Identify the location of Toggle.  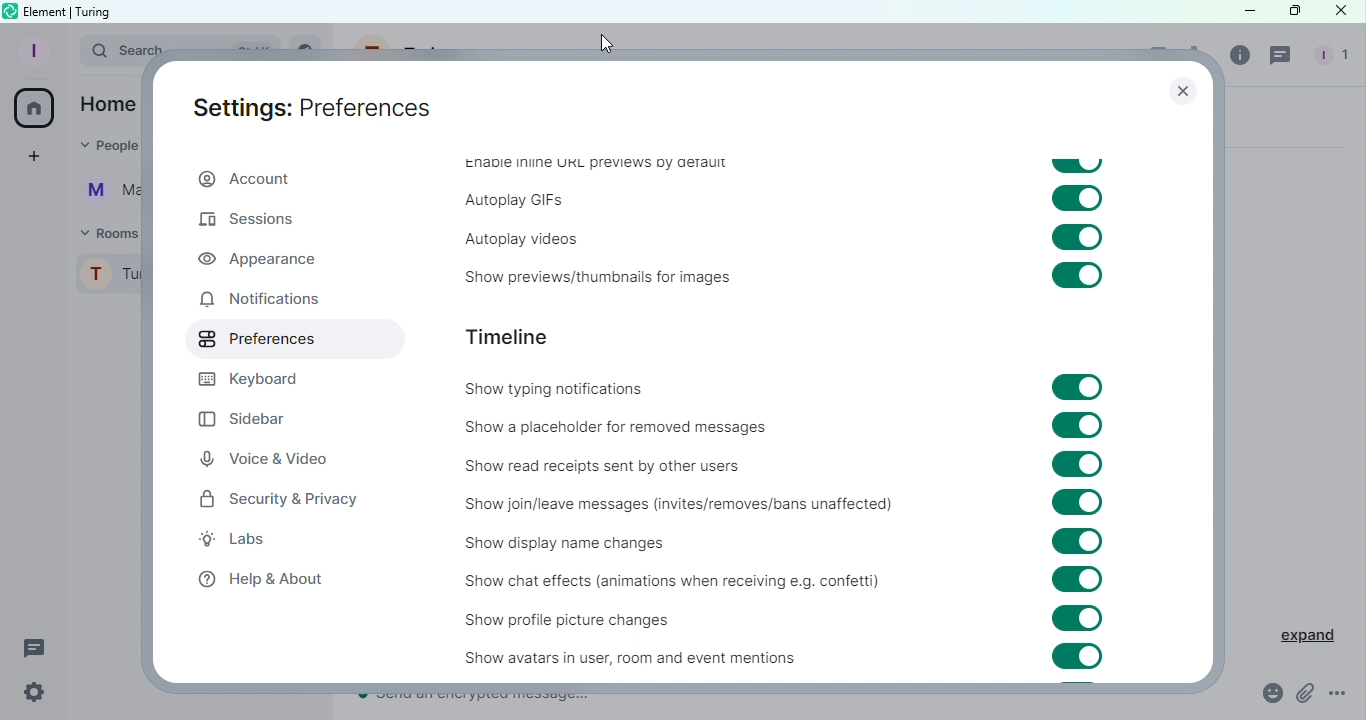
(1080, 463).